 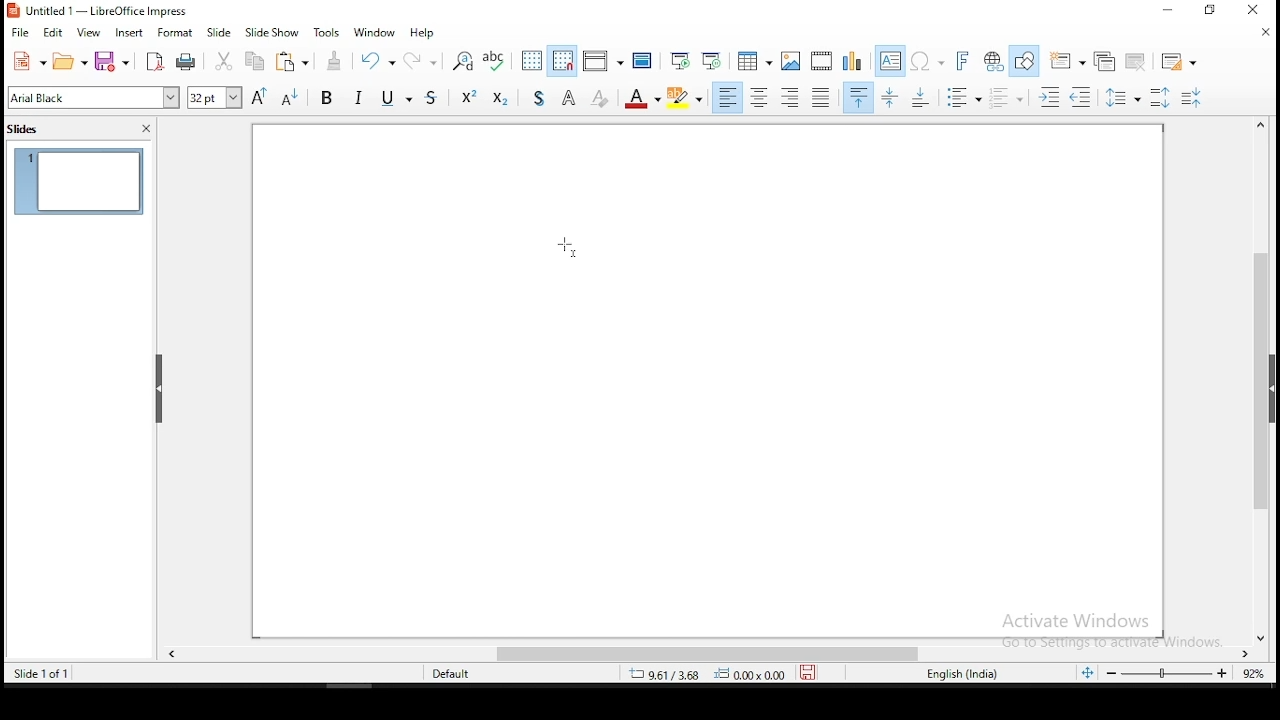 What do you see at coordinates (822, 96) in the screenshot?
I see `Justified` at bounding box center [822, 96].